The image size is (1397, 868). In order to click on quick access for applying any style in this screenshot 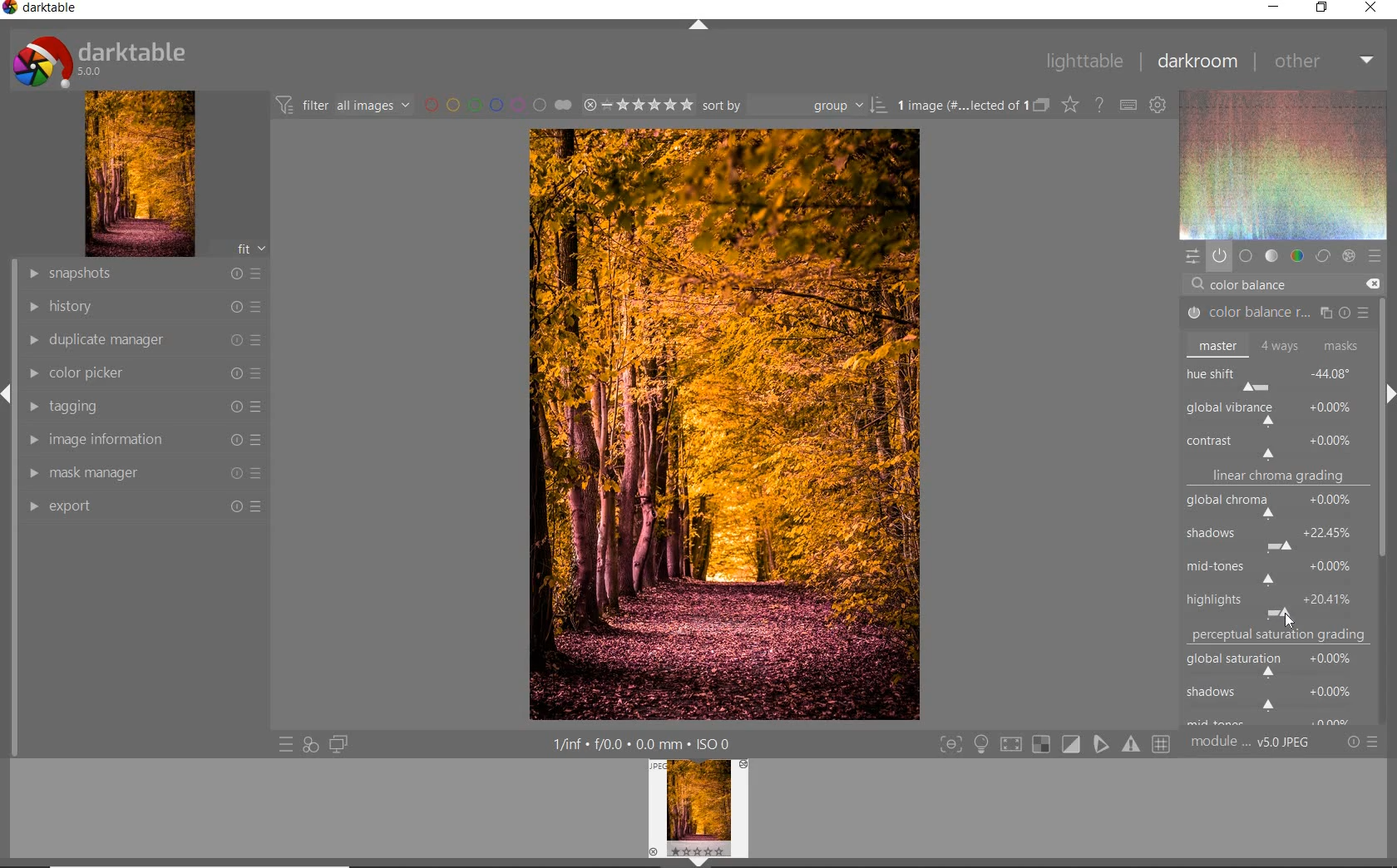, I will do `click(311, 745)`.